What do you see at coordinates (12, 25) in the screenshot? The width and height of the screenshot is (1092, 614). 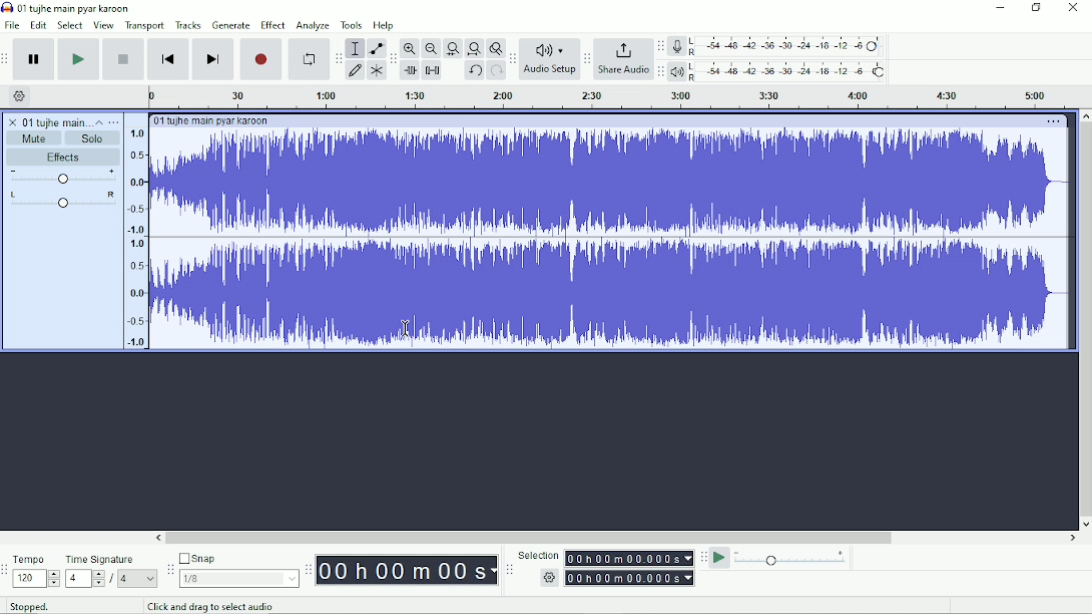 I see `File` at bounding box center [12, 25].